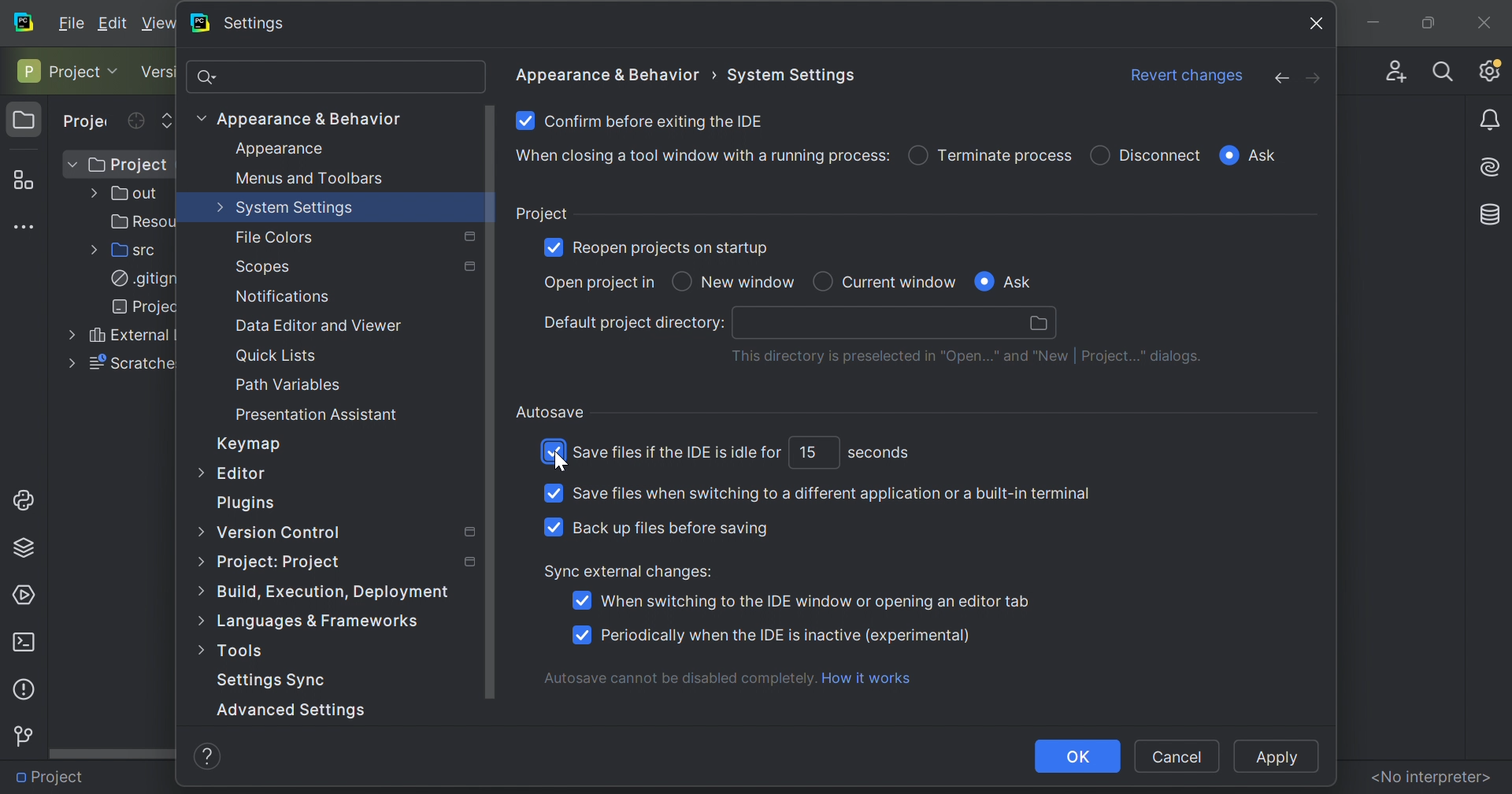  What do you see at coordinates (610, 74) in the screenshot?
I see `Appearance & Behaviour >` at bounding box center [610, 74].